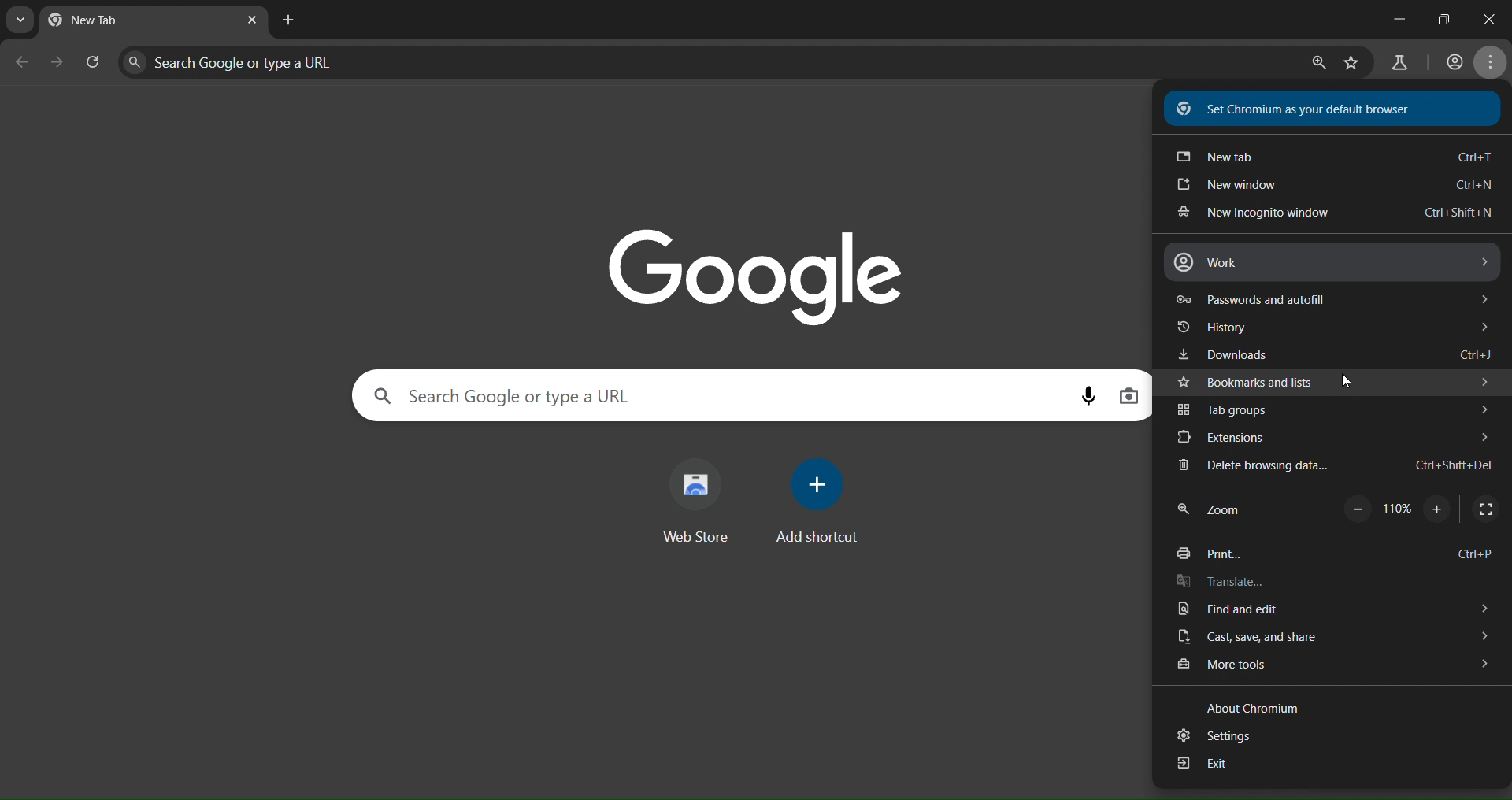  I want to click on Google logo, so click(758, 276).